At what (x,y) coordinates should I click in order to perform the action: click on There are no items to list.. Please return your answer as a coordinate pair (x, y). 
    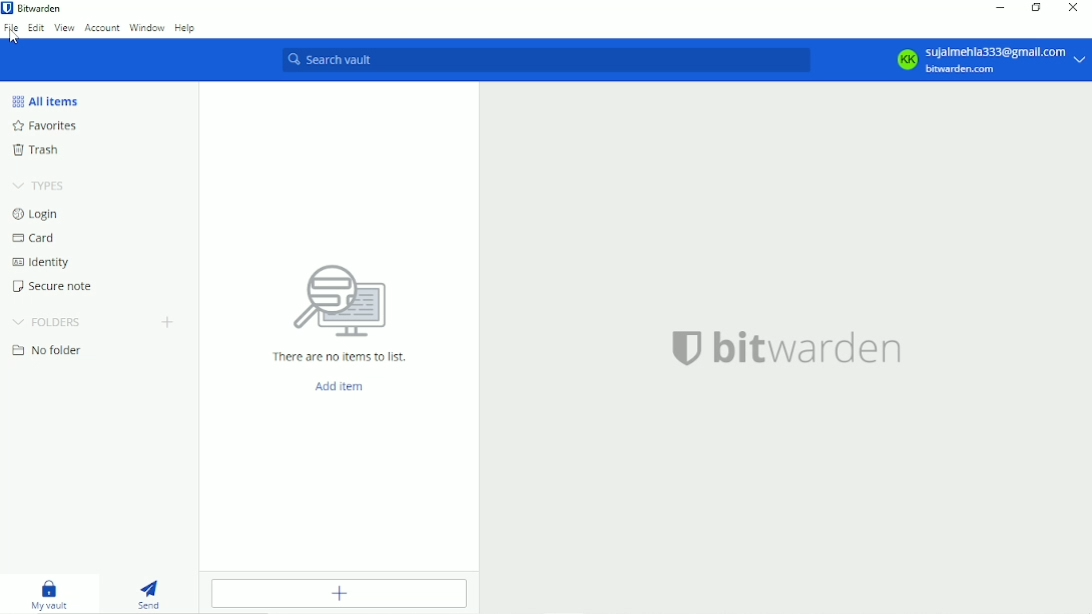
    Looking at the image, I should click on (337, 310).